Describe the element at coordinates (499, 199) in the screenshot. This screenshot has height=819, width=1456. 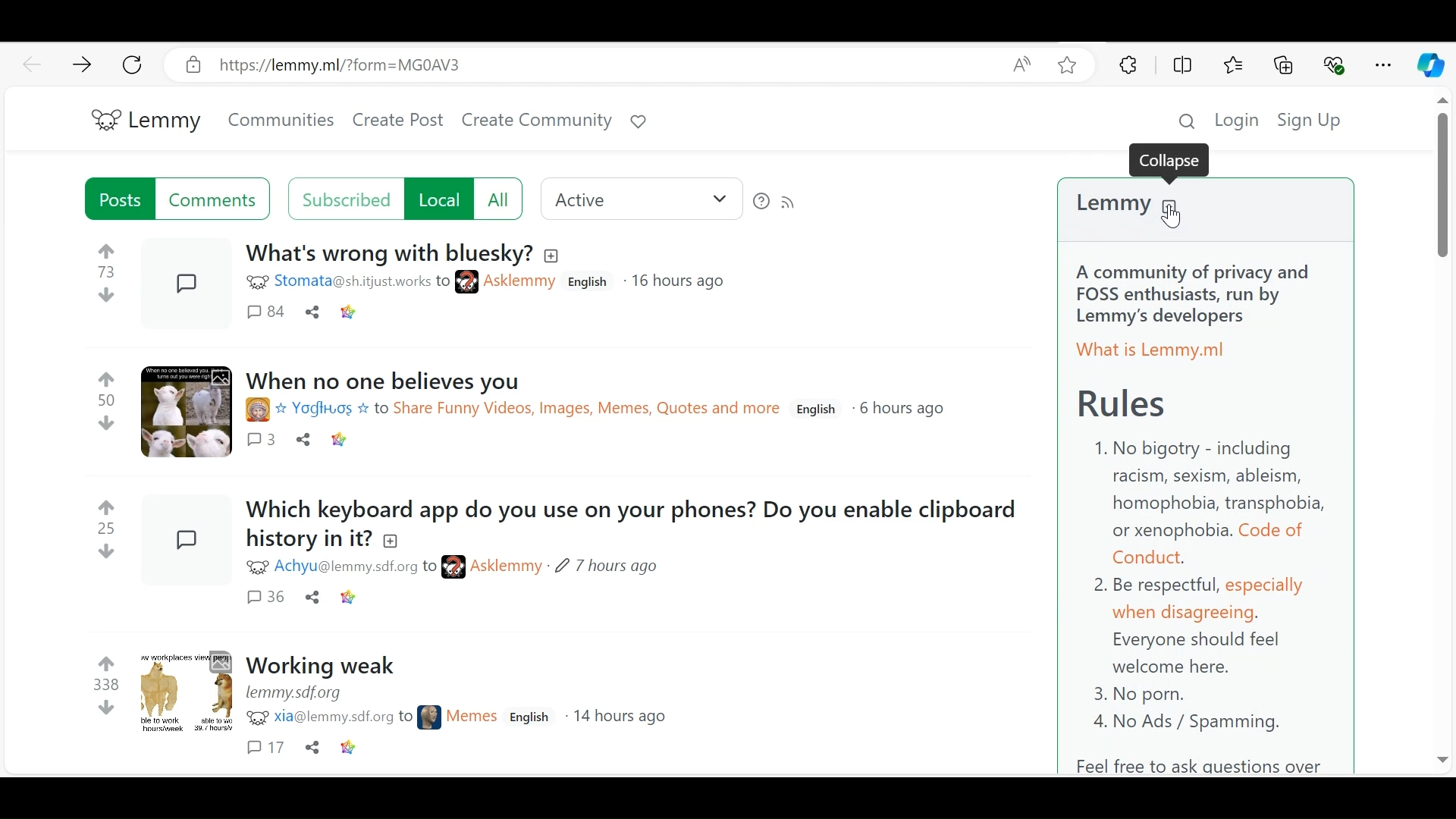
I see `All` at that location.